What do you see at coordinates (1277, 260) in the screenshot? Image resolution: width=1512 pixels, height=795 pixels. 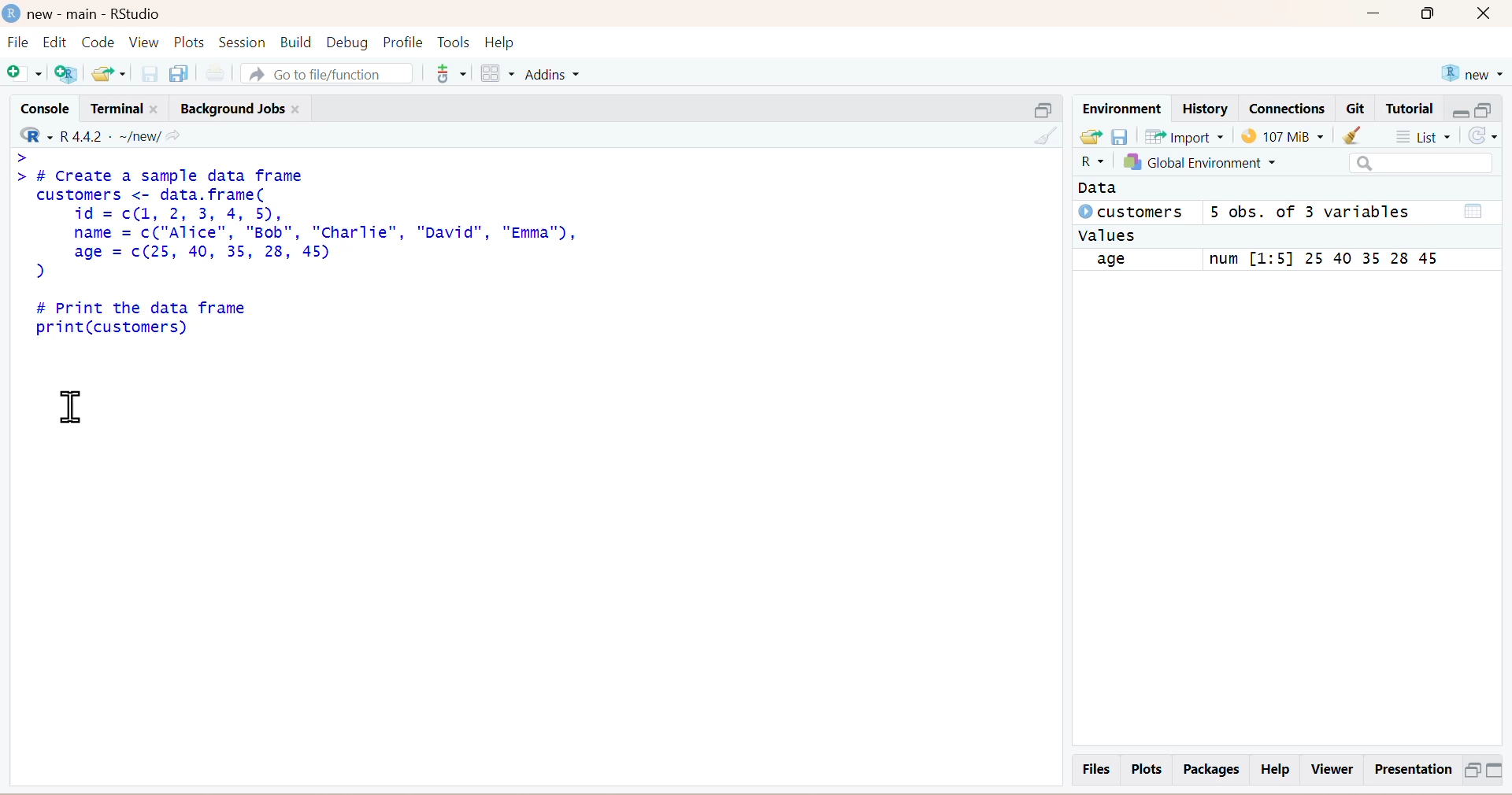 I see `age num [1:5] 25 40 35 28 45` at bounding box center [1277, 260].